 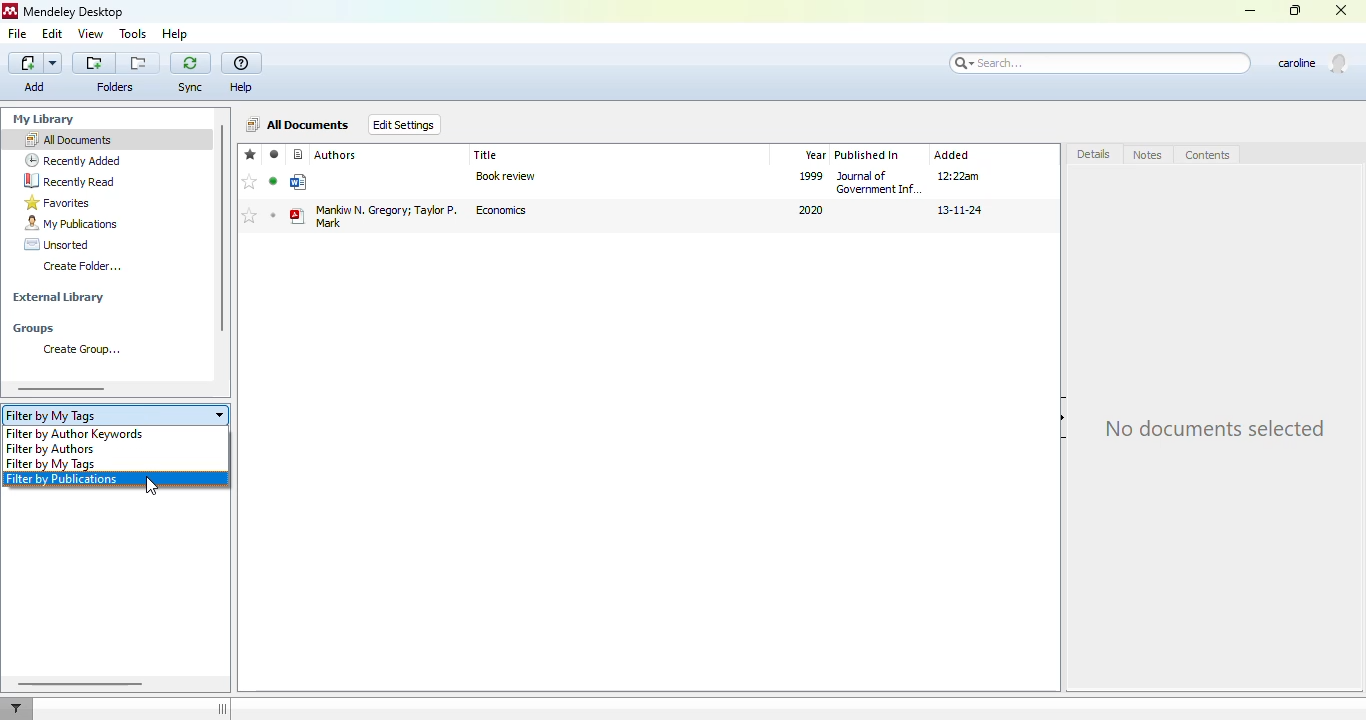 I want to click on favorites, so click(x=58, y=202).